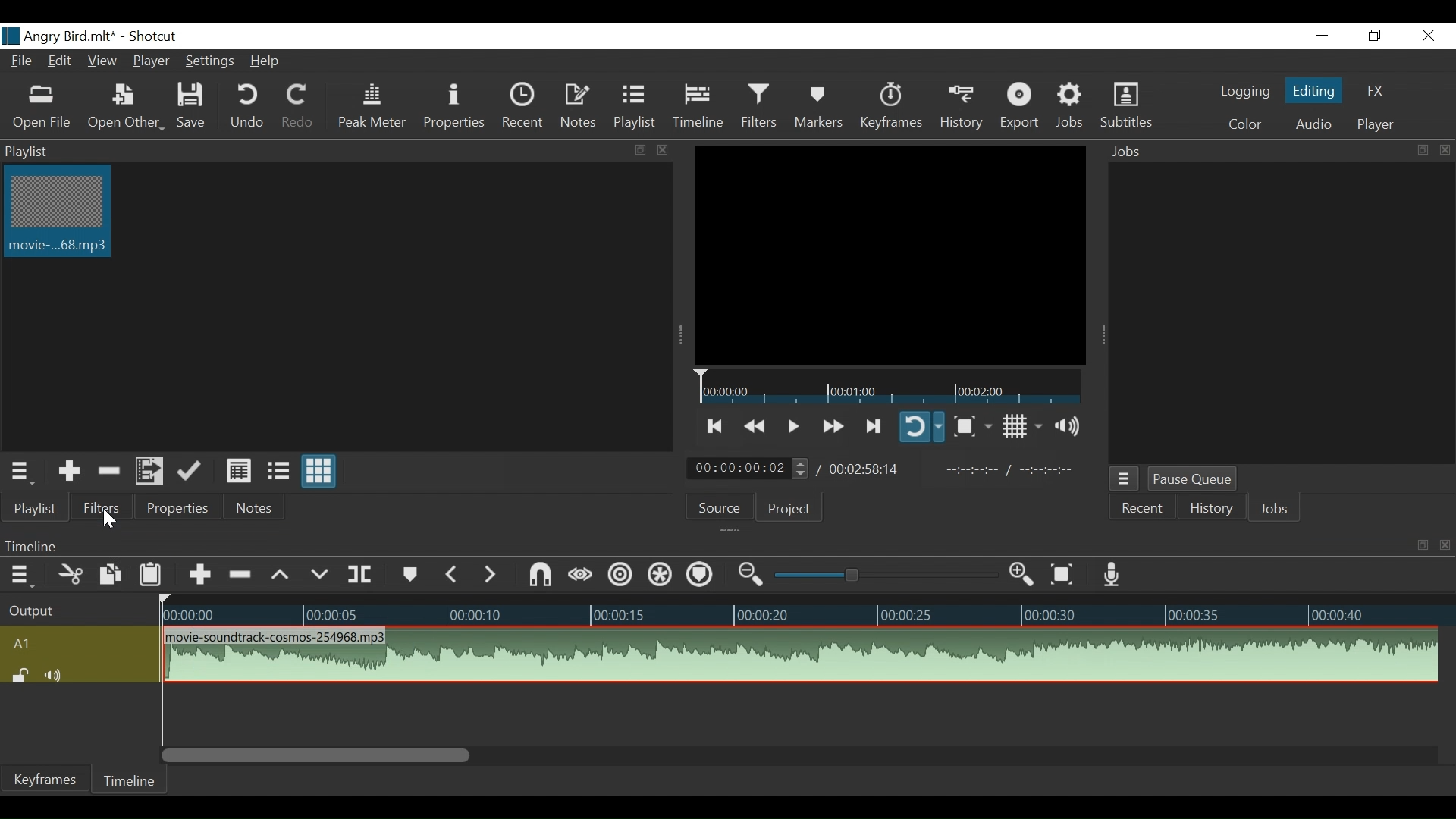  I want to click on Previous marker, so click(453, 573).